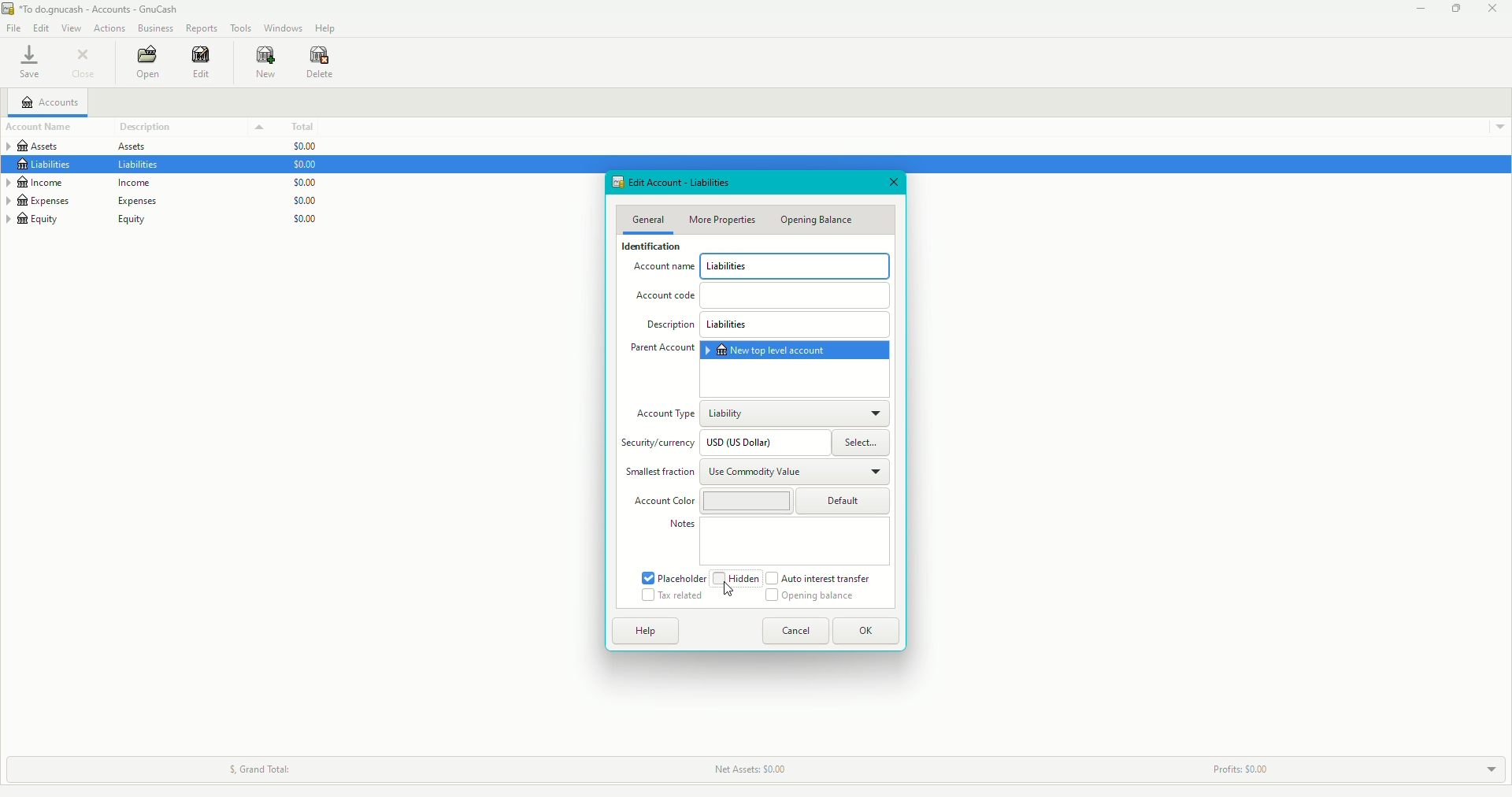  Describe the element at coordinates (892, 182) in the screenshot. I see `Close` at that location.